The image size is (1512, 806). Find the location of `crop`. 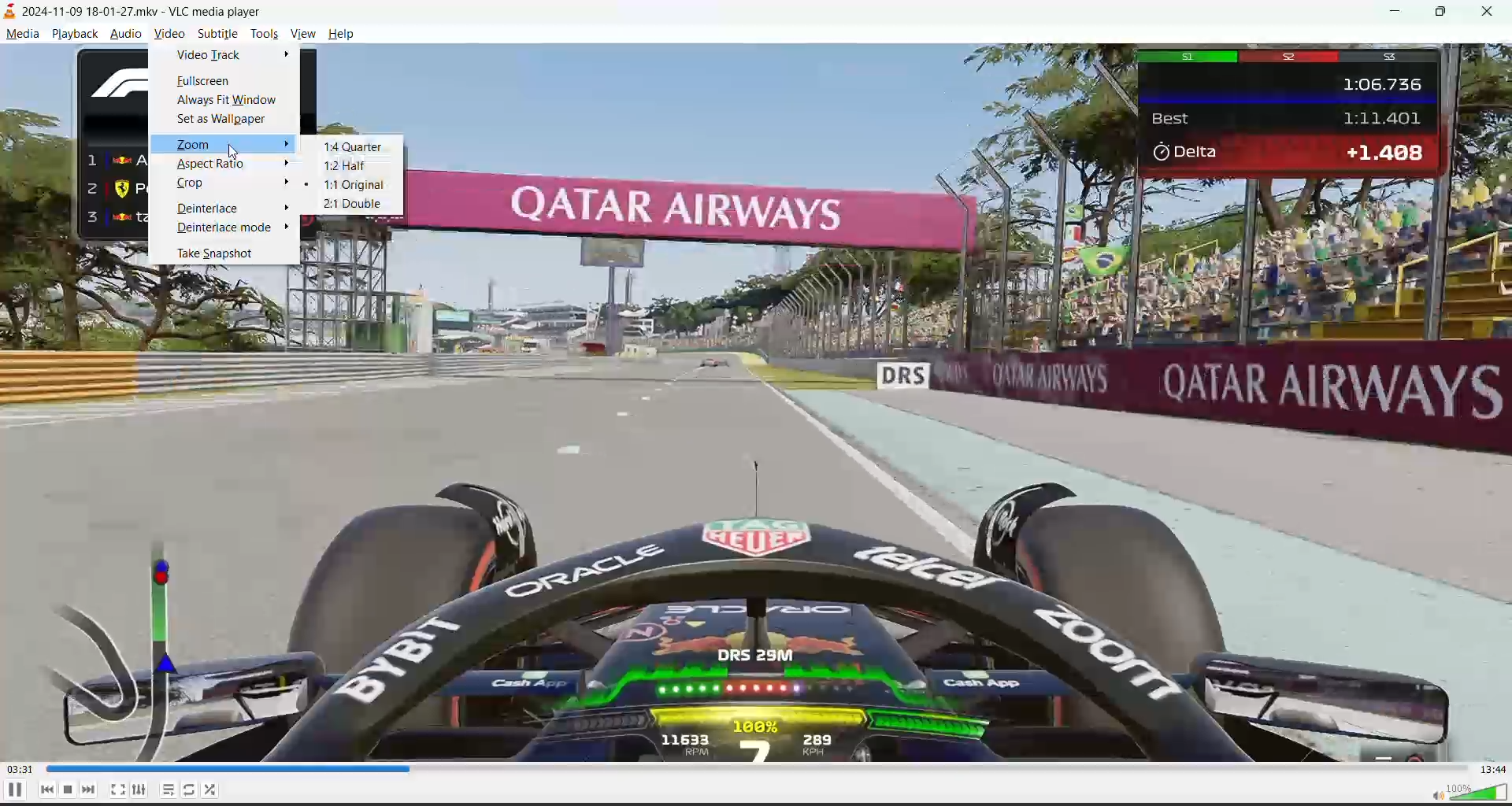

crop is located at coordinates (195, 183).